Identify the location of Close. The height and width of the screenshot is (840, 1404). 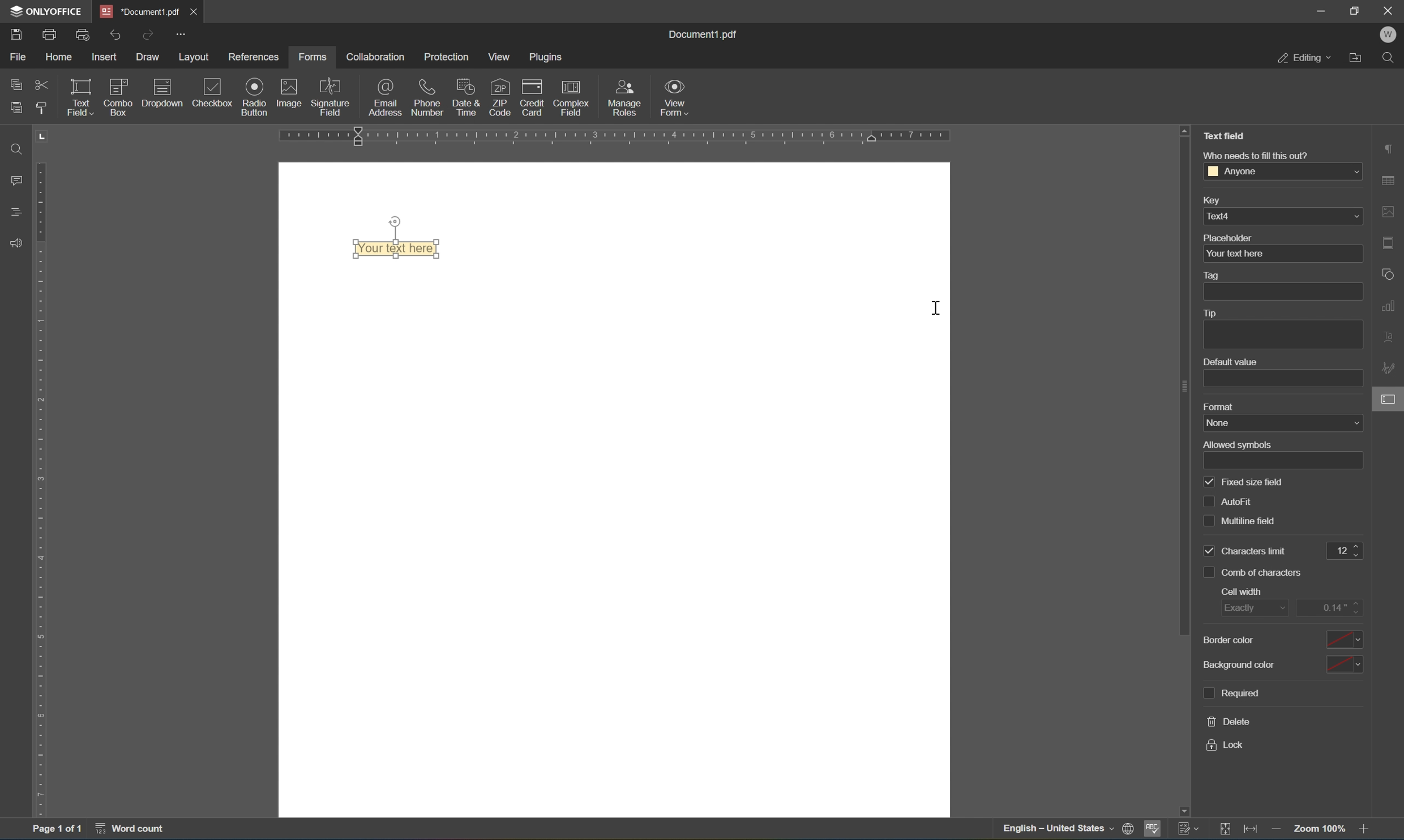
(194, 11).